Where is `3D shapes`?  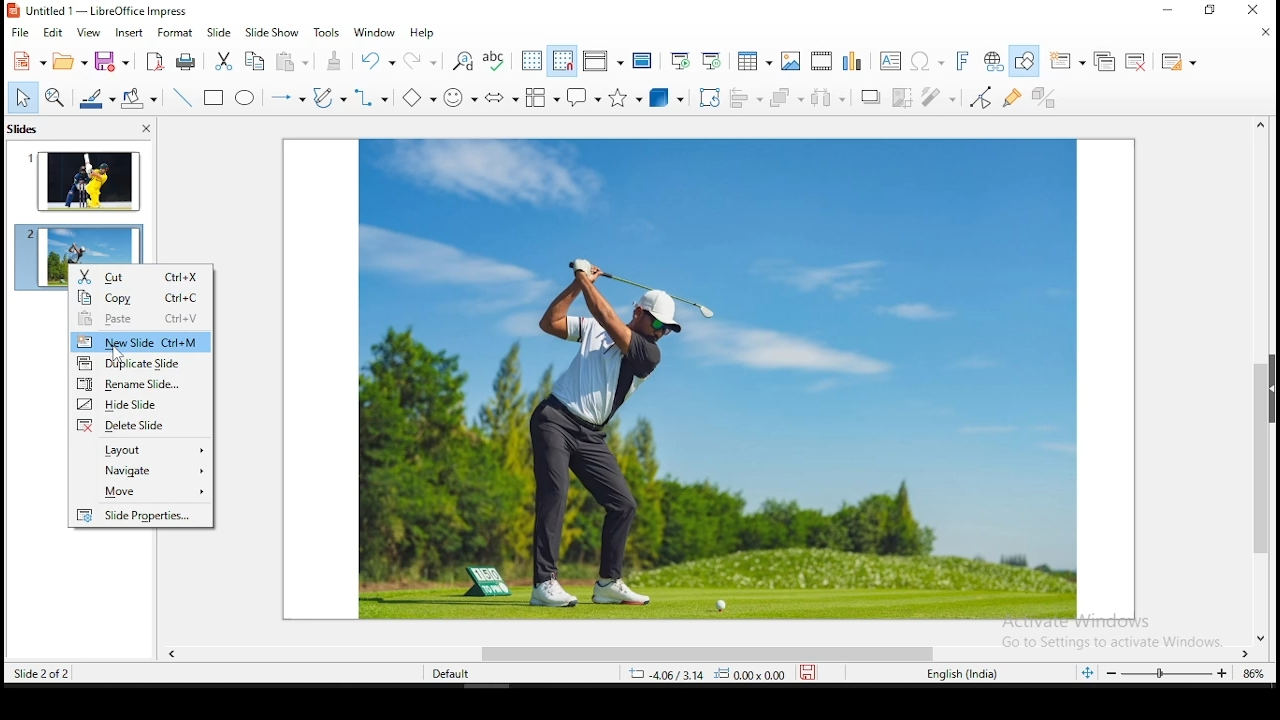 3D shapes is located at coordinates (667, 99).